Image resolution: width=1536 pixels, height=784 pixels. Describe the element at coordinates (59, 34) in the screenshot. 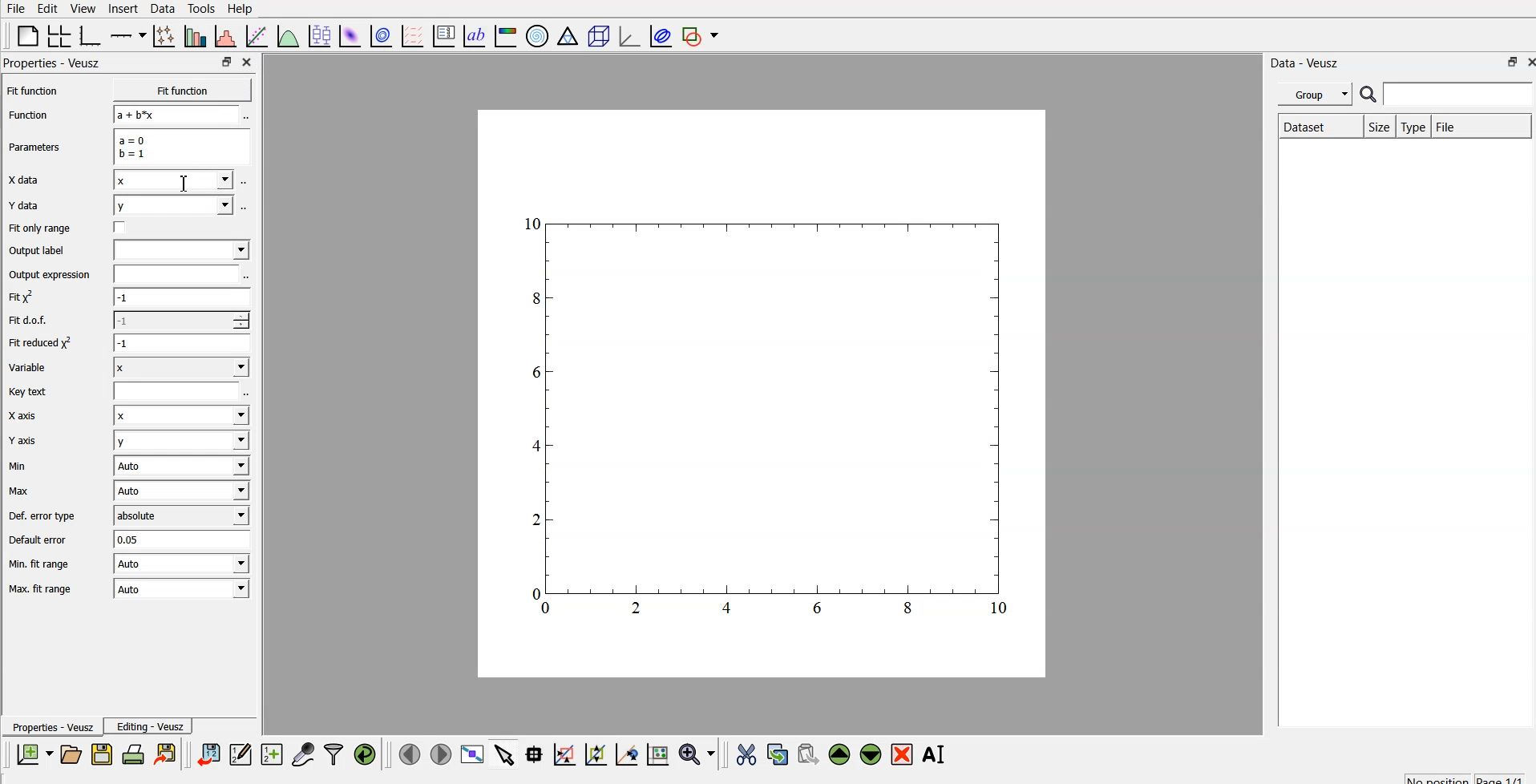

I see `arrange graphs in a grid` at that location.